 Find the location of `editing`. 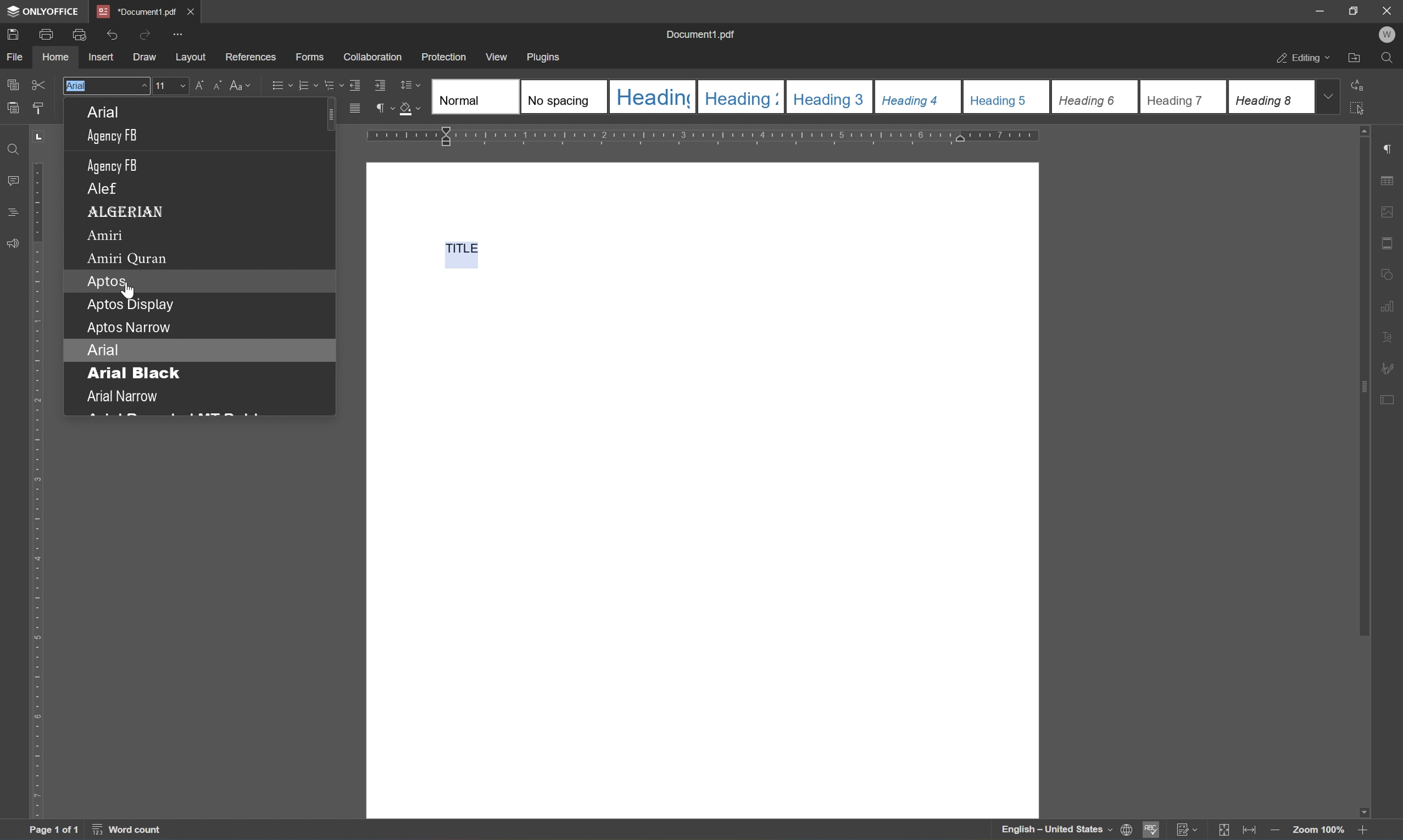

editing is located at coordinates (1302, 59).